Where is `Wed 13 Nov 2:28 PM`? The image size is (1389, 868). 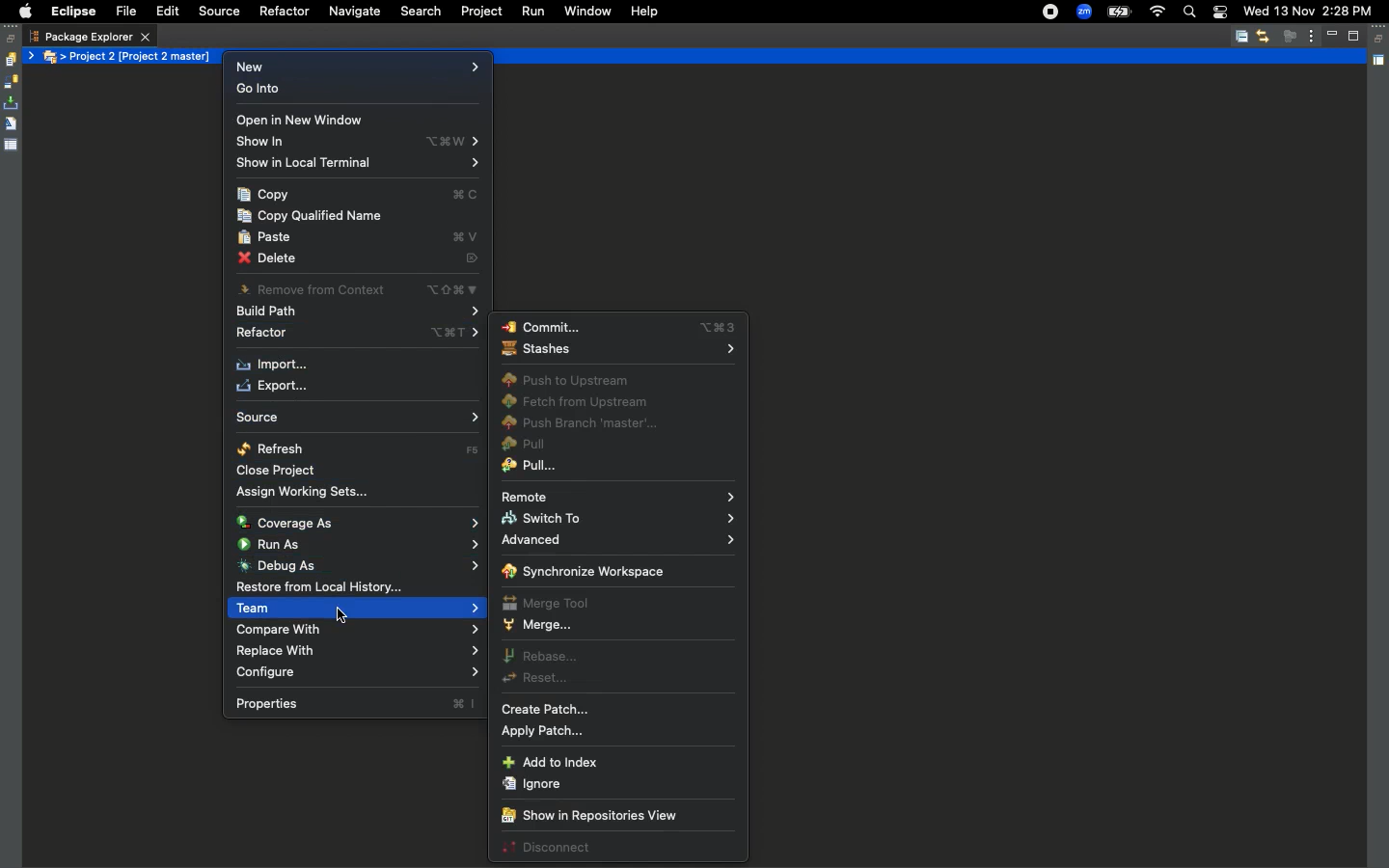
Wed 13 Nov 2:28 PM is located at coordinates (1307, 10).